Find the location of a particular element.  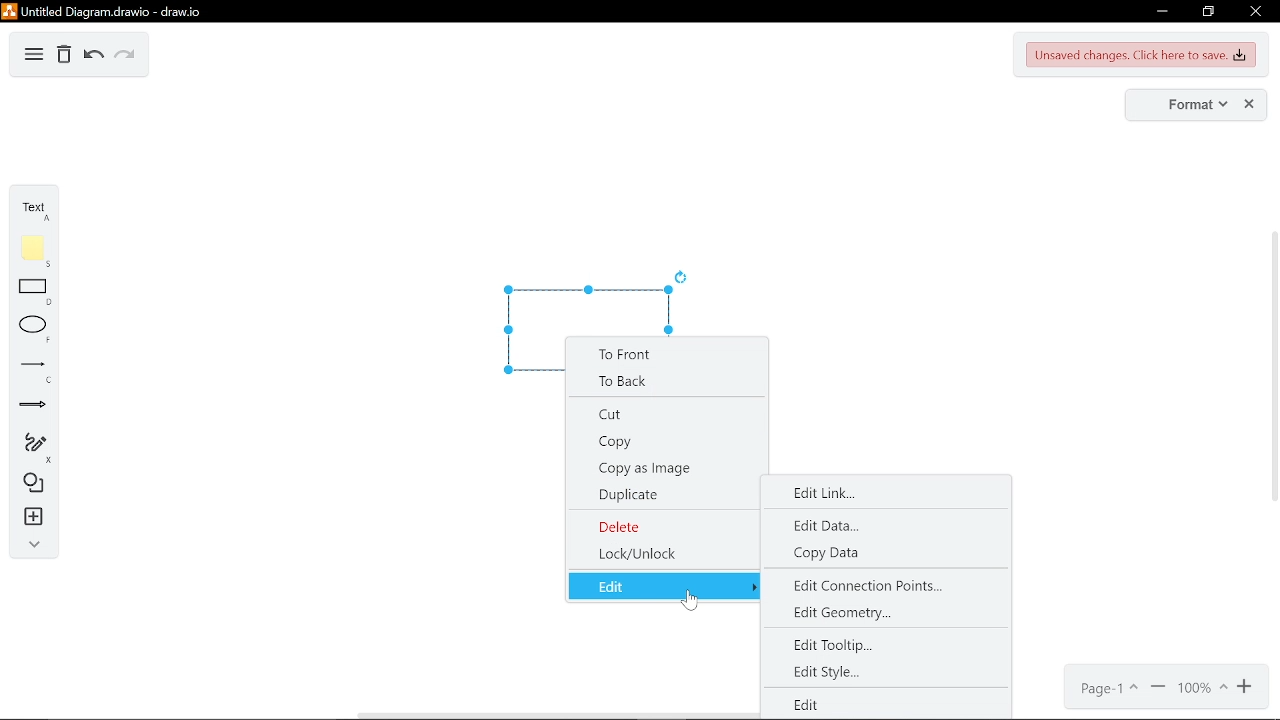

edit tooltip is located at coordinates (859, 645).